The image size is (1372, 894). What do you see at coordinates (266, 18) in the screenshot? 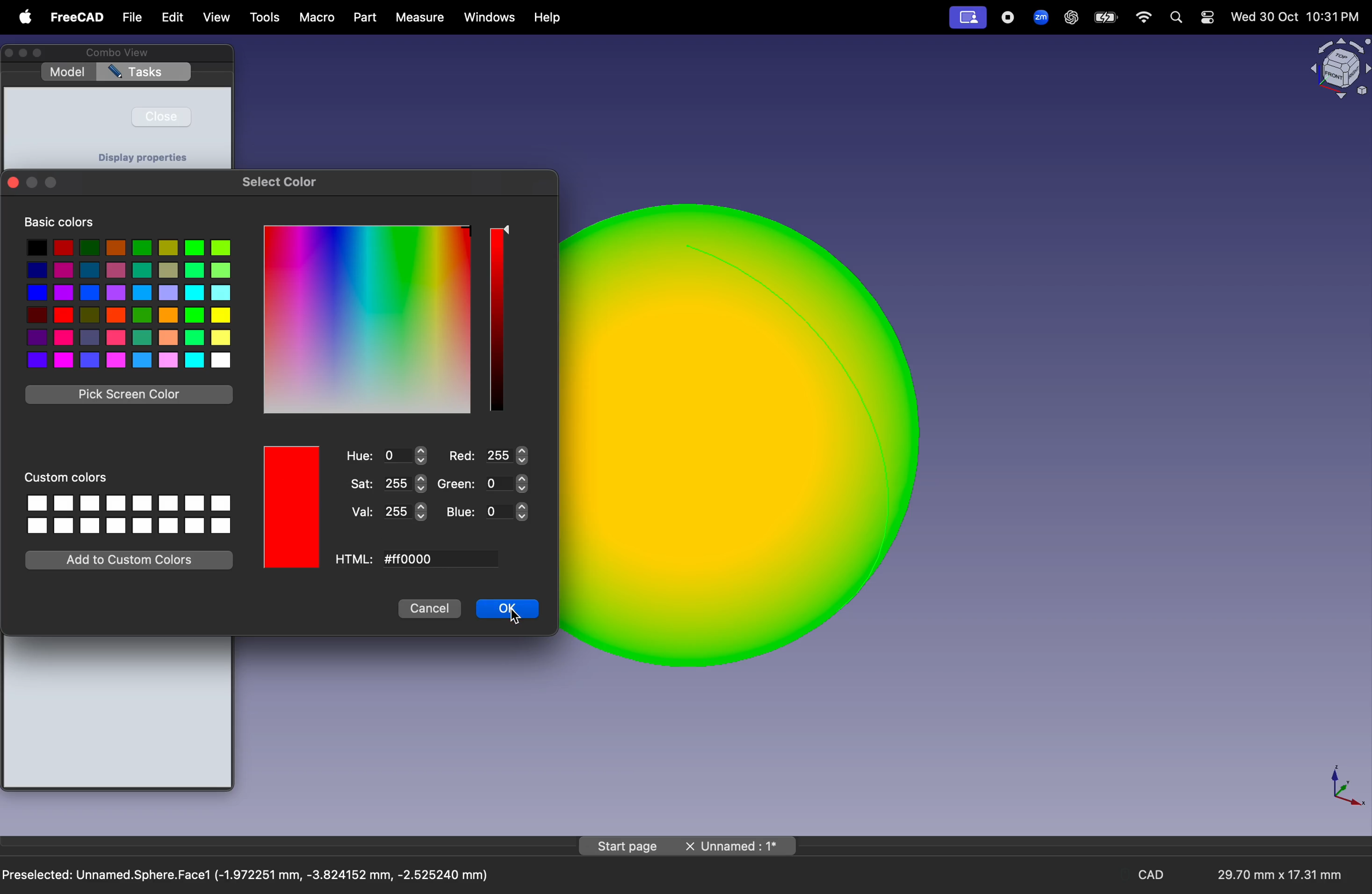
I see `tools` at bounding box center [266, 18].